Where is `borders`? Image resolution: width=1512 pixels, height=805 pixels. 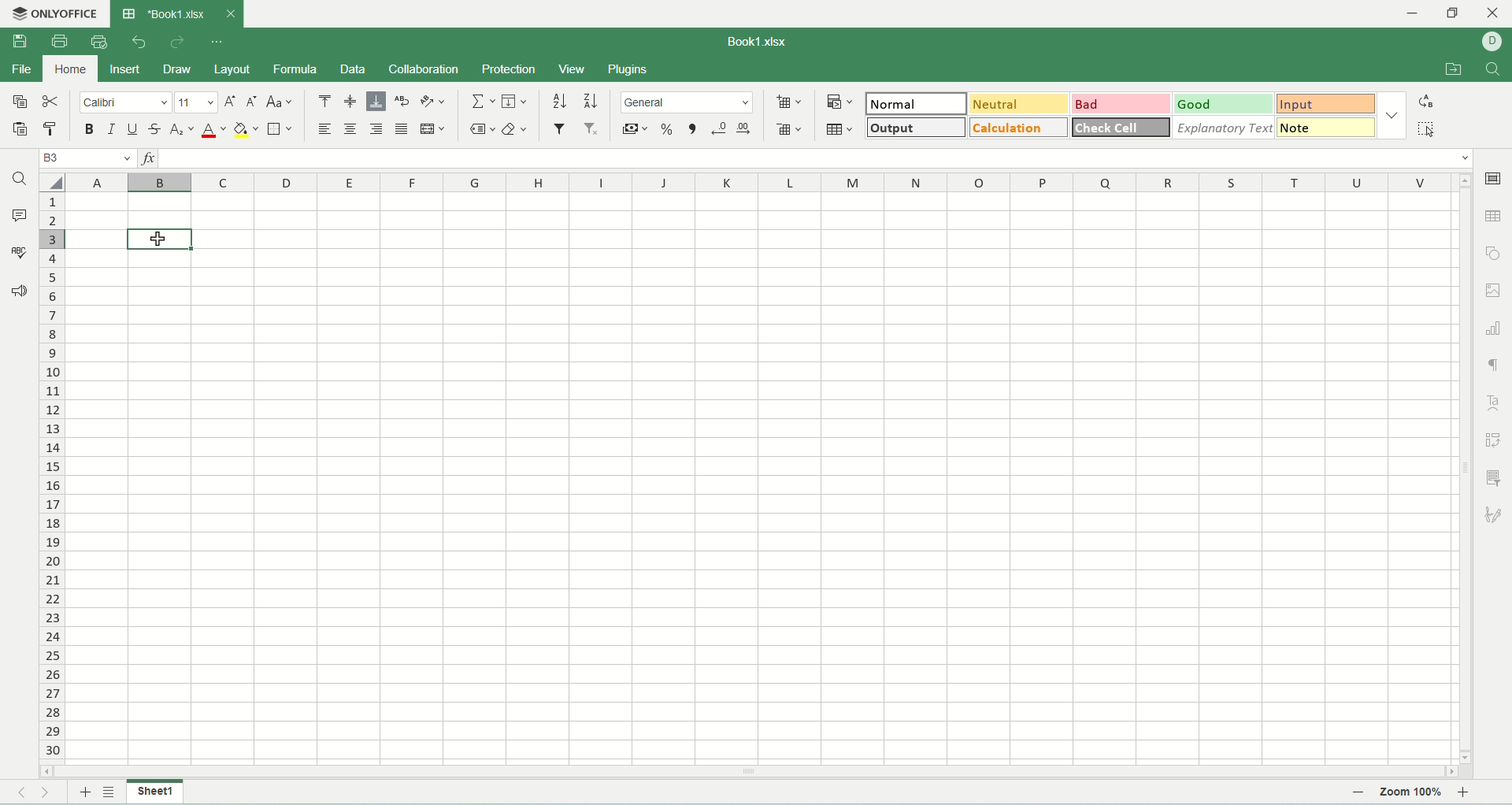
borders is located at coordinates (280, 128).